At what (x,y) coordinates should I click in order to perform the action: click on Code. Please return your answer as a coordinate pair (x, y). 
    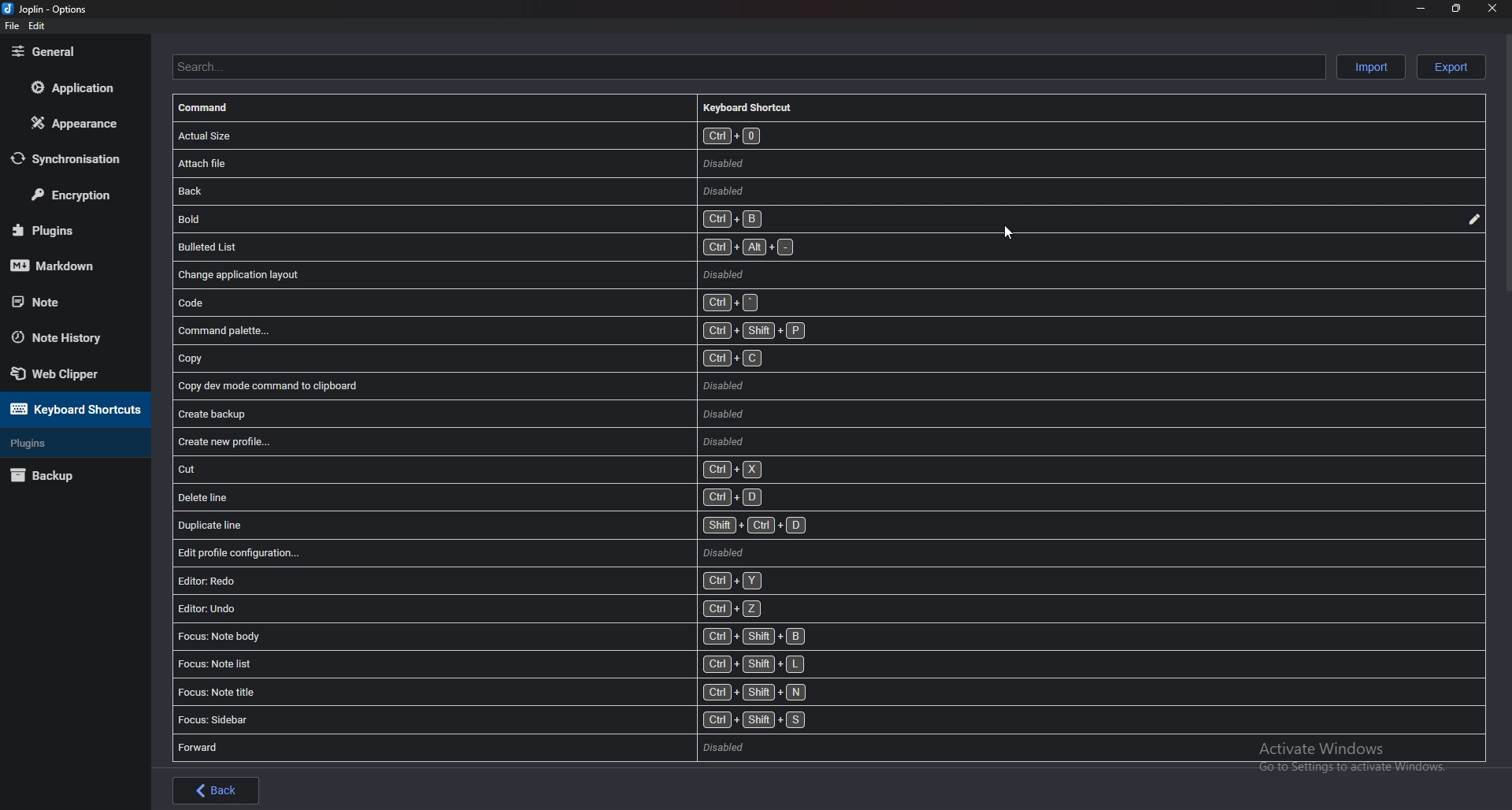
    Looking at the image, I should click on (472, 302).